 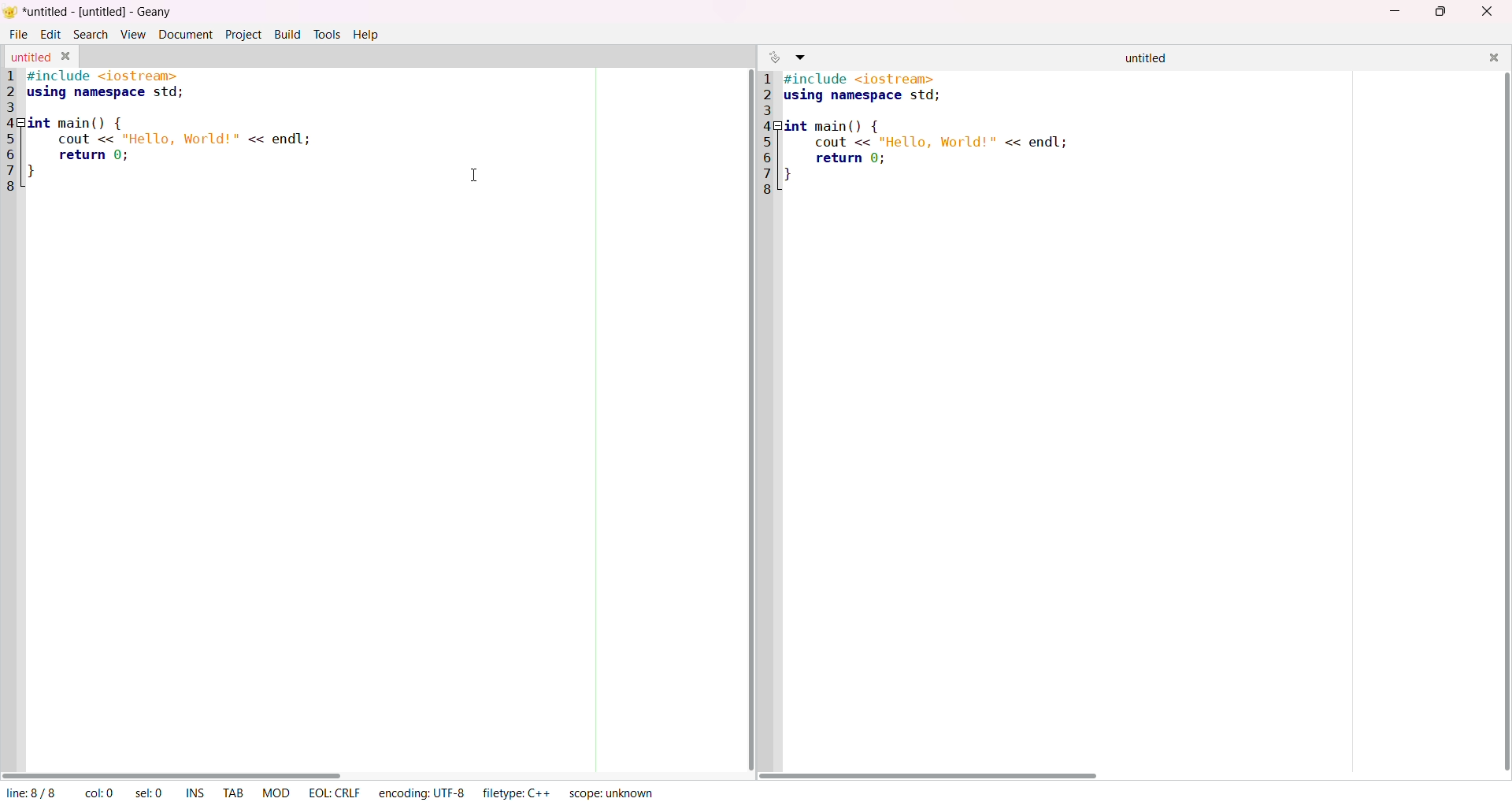 What do you see at coordinates (18, 34) in the screenshot?
I see `File` at bounding box center [18, 34].